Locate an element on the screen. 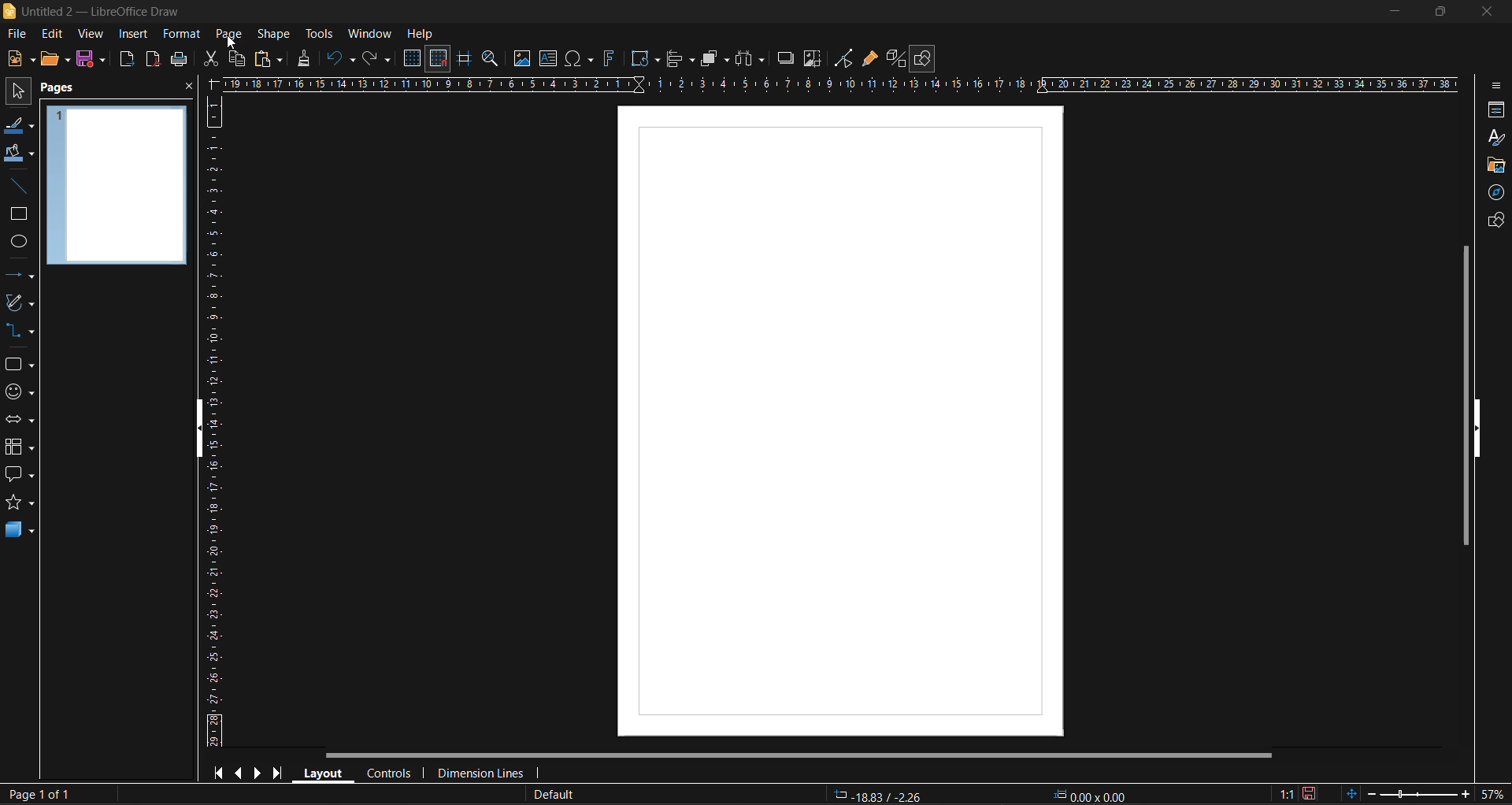  maximize is located at coordinates (1436, 13).